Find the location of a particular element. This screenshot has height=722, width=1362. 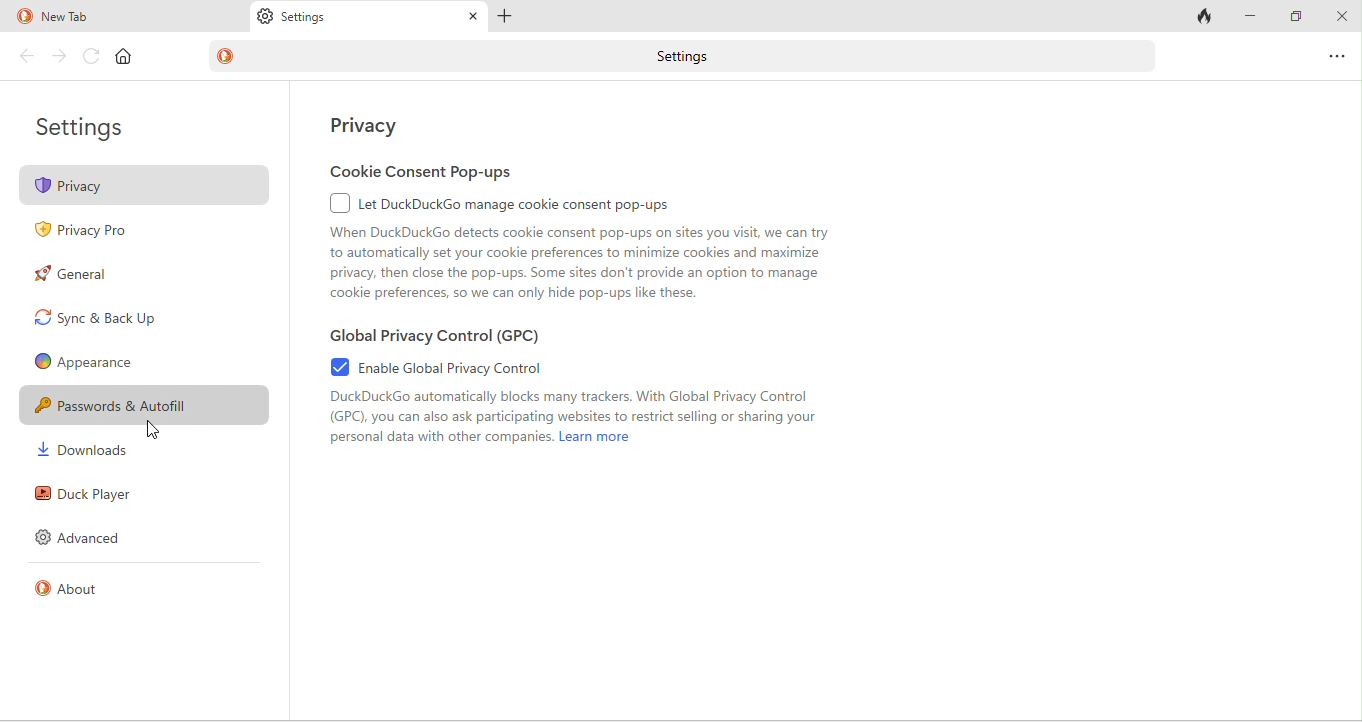

close is located at coordinates (470, 18).